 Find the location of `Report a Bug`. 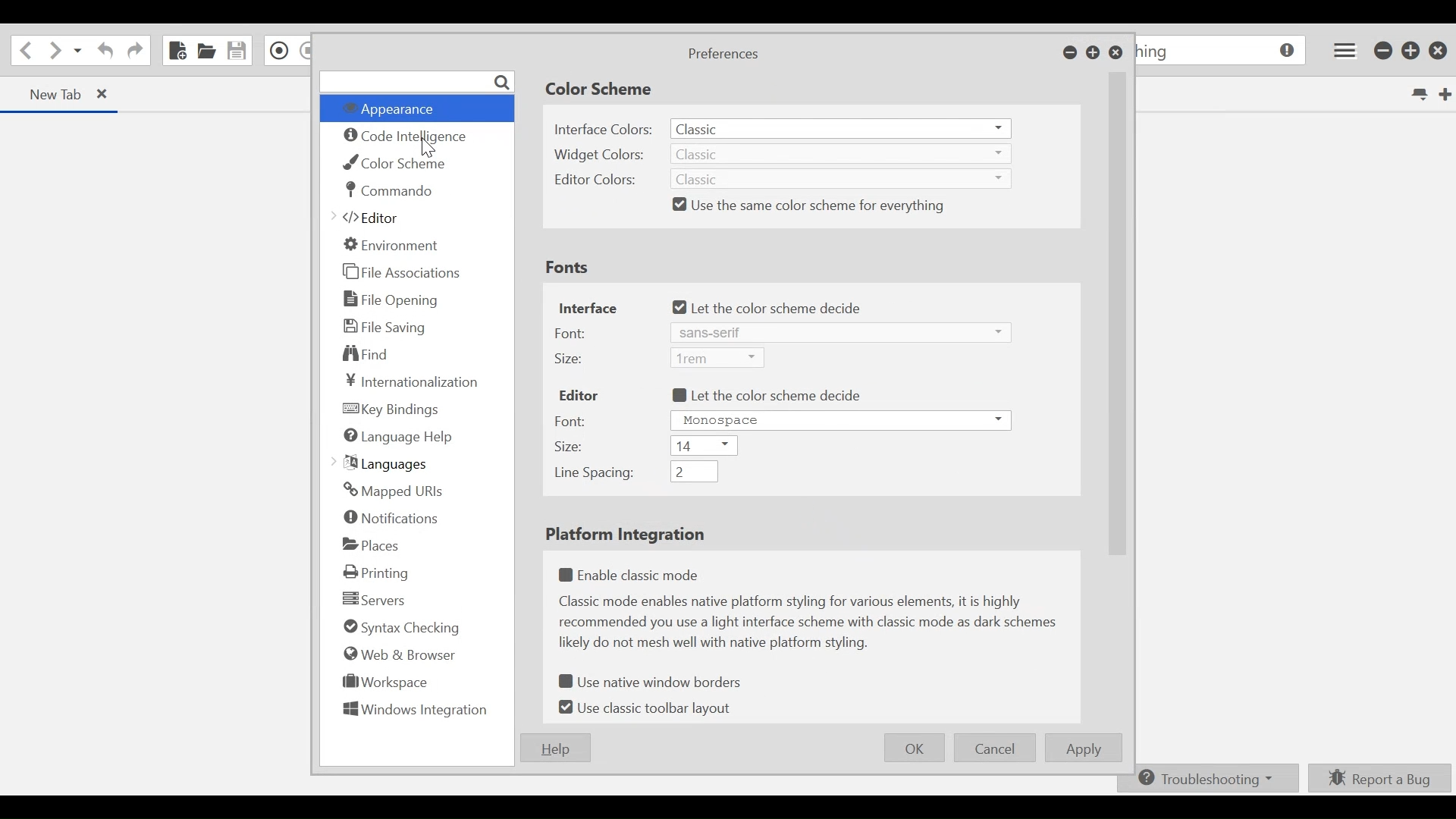

Report a Bug is located at coordinates (1380, 777).